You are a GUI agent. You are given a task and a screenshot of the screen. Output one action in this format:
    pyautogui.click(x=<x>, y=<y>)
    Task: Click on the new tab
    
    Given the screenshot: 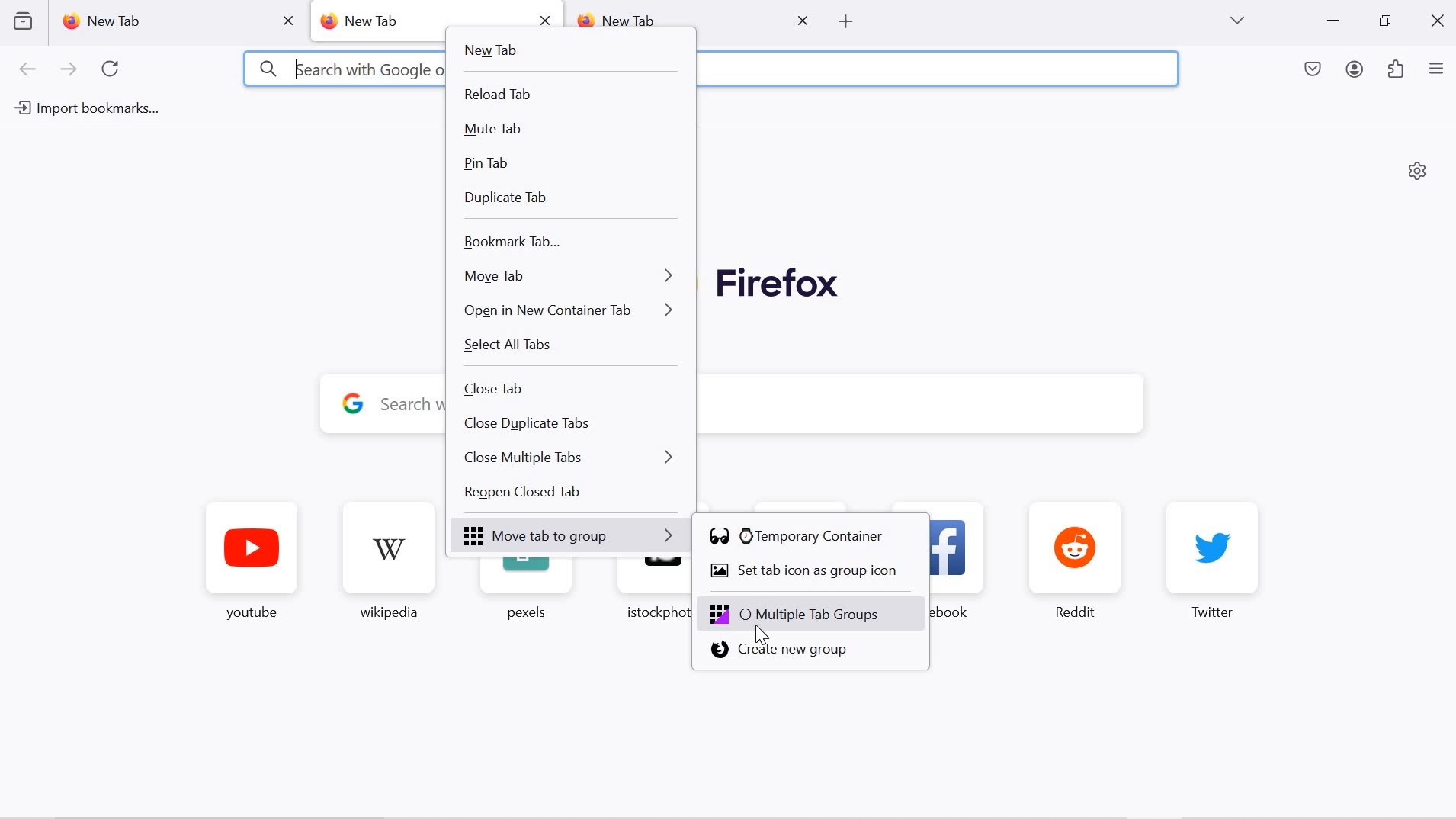 What is the action you would take?
    pyautogui.click(x=159, y=21)
    